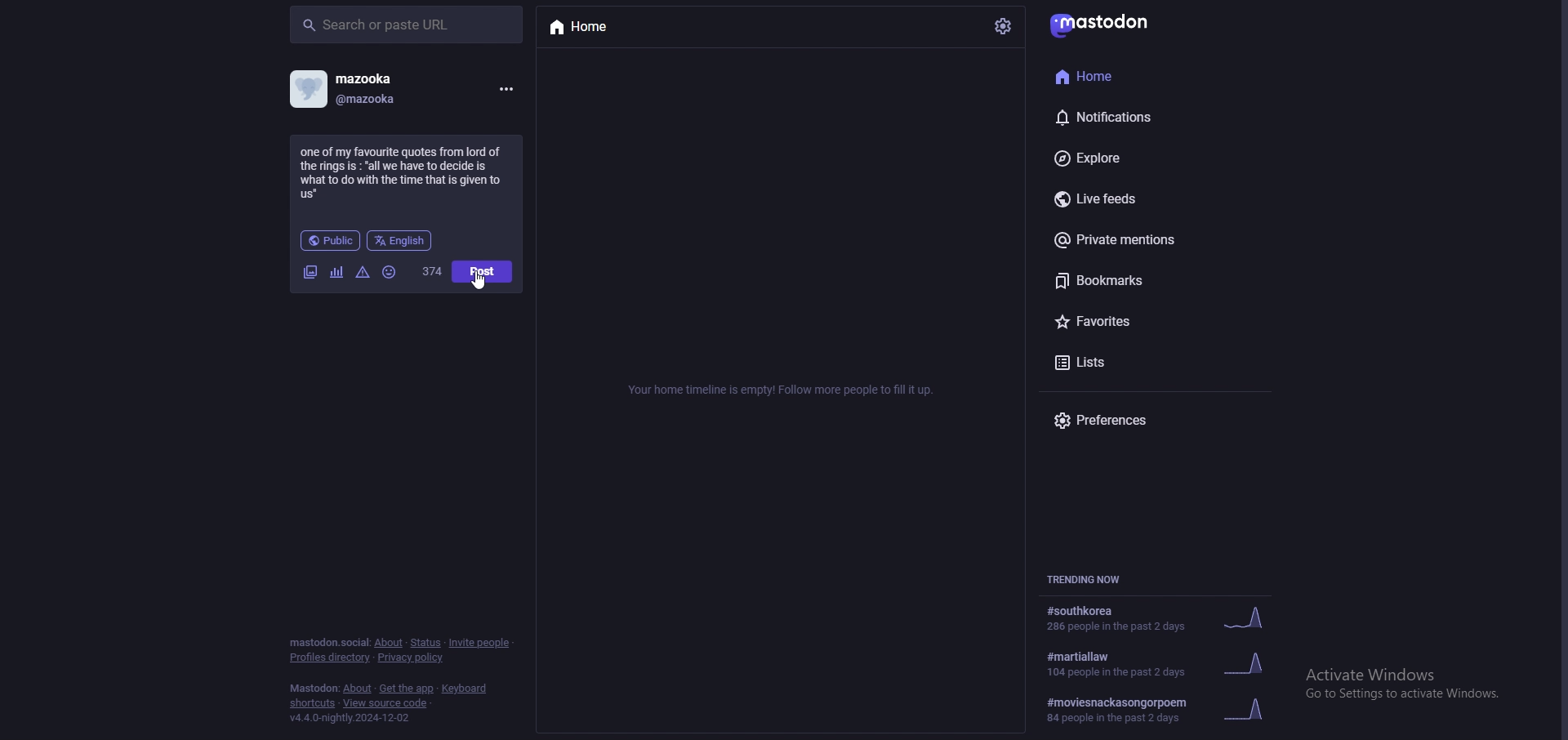  What do you see at coordinates (310, 274) in the screenshot?
I see `images` at bounding box center [310, 274].